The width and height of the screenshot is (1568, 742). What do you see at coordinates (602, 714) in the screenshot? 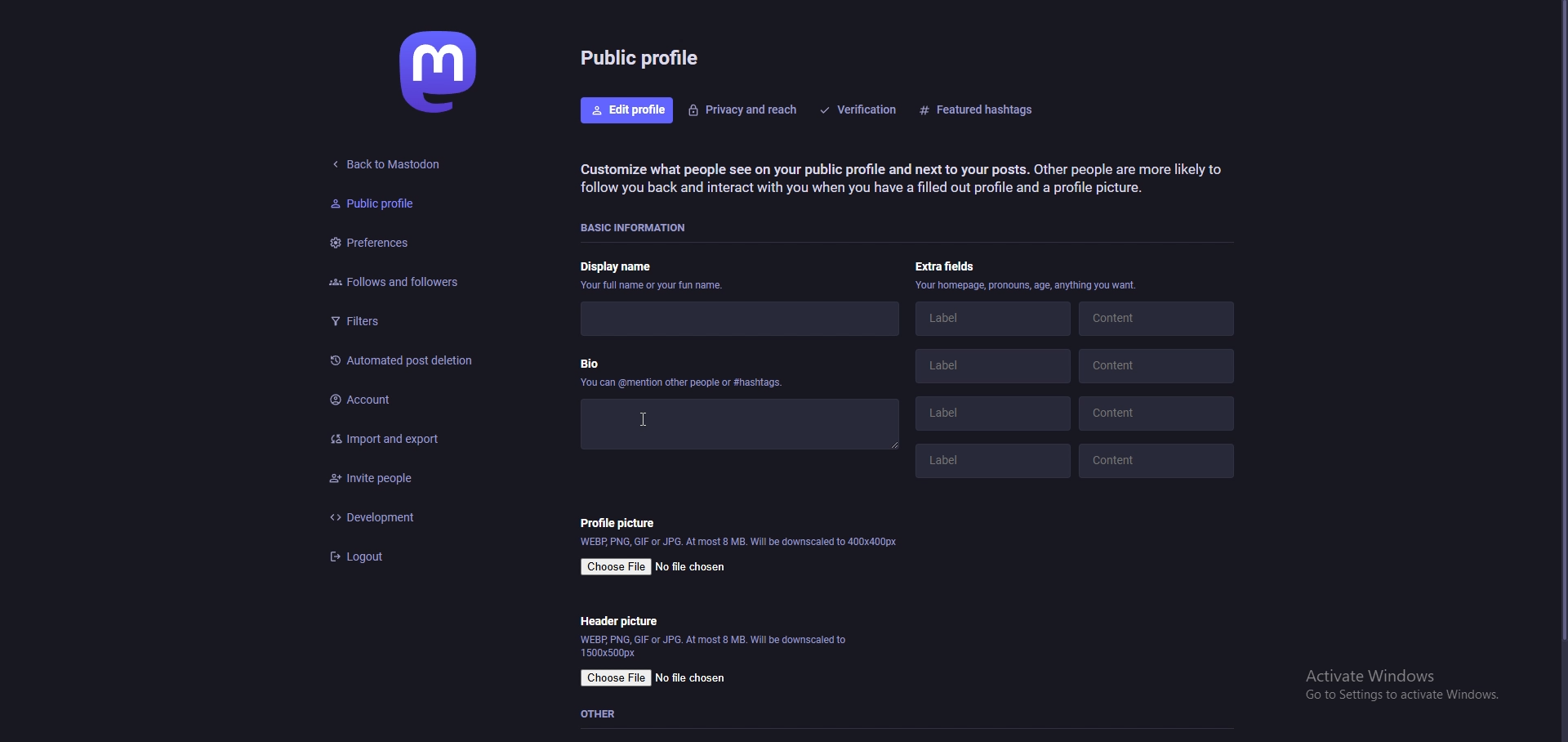
I see `other` at bounding box center [602, 714].